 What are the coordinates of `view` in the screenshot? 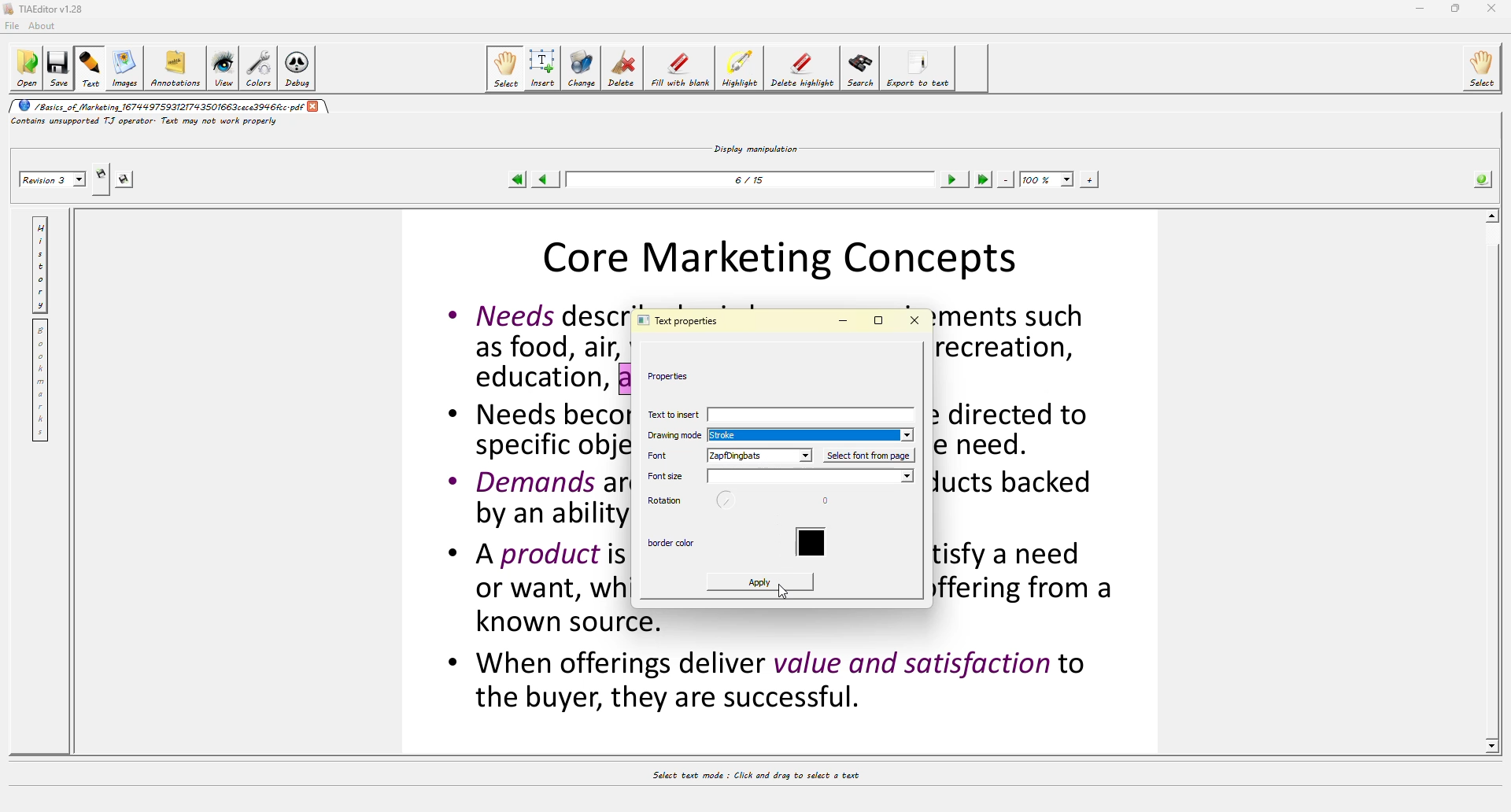 It's located at (223, 67).